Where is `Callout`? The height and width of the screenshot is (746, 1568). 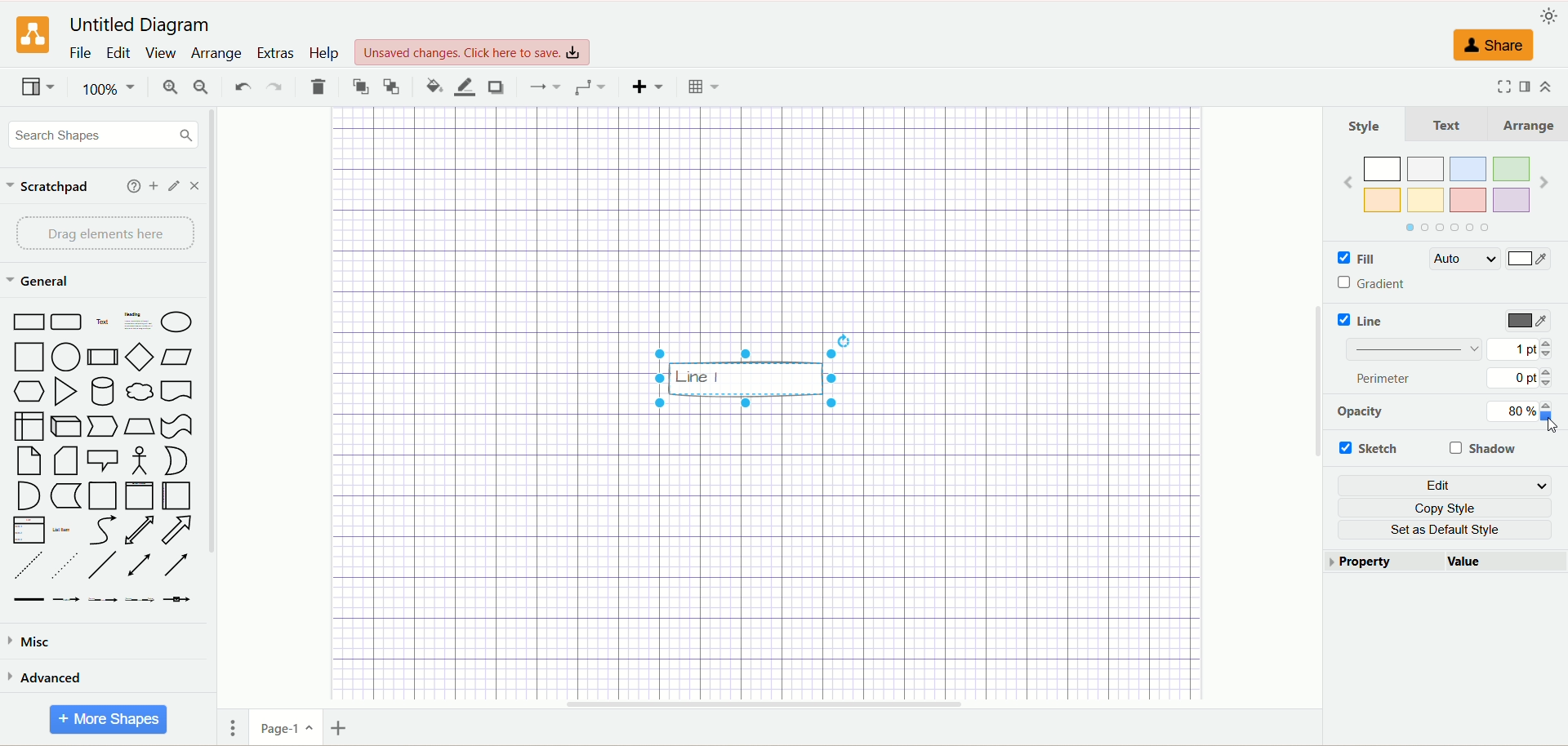 Callout is located at coordinates (104, 460).